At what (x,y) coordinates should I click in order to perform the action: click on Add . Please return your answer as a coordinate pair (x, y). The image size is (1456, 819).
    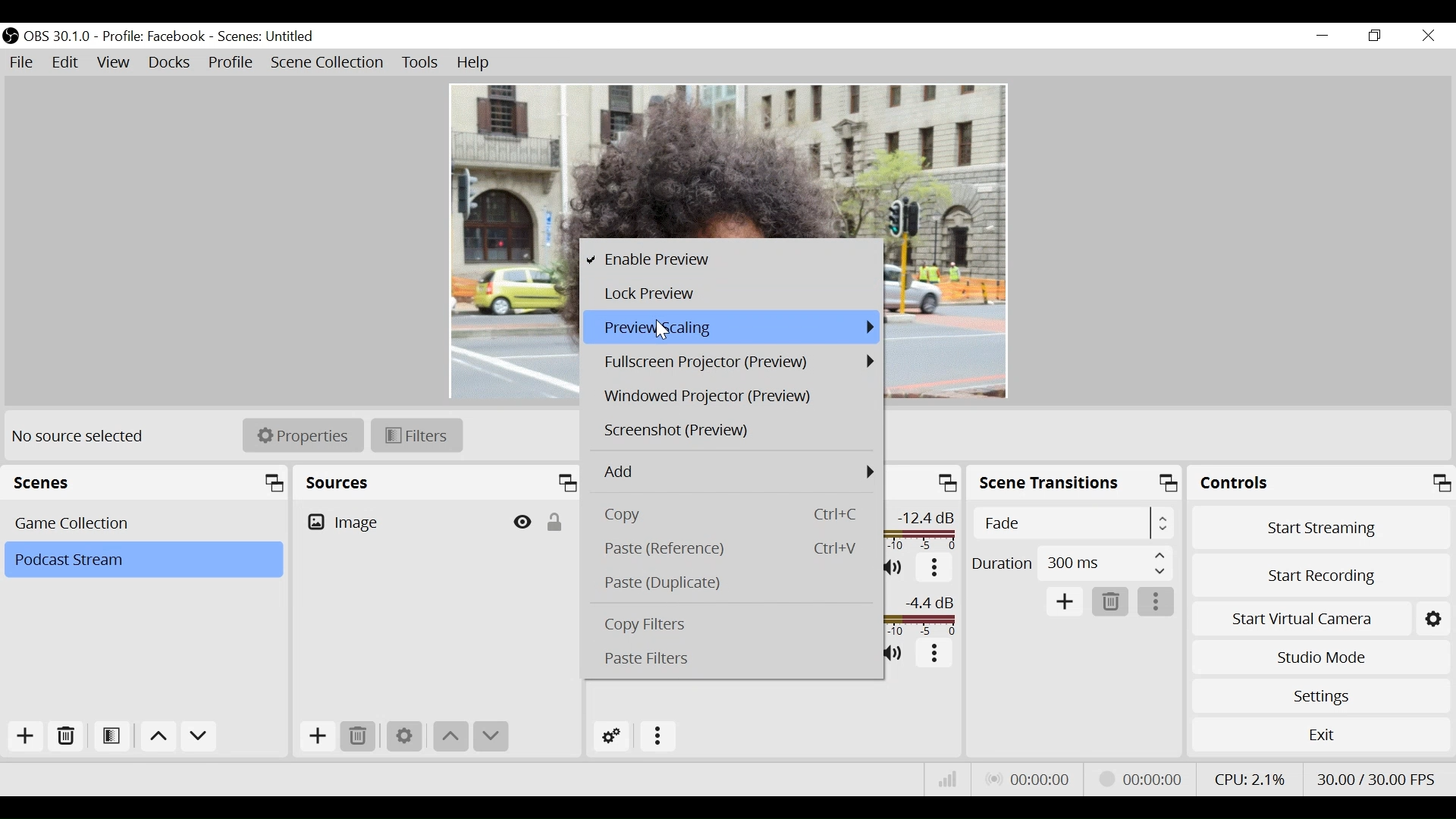
    Looking at the image, I should click on (26, 736).